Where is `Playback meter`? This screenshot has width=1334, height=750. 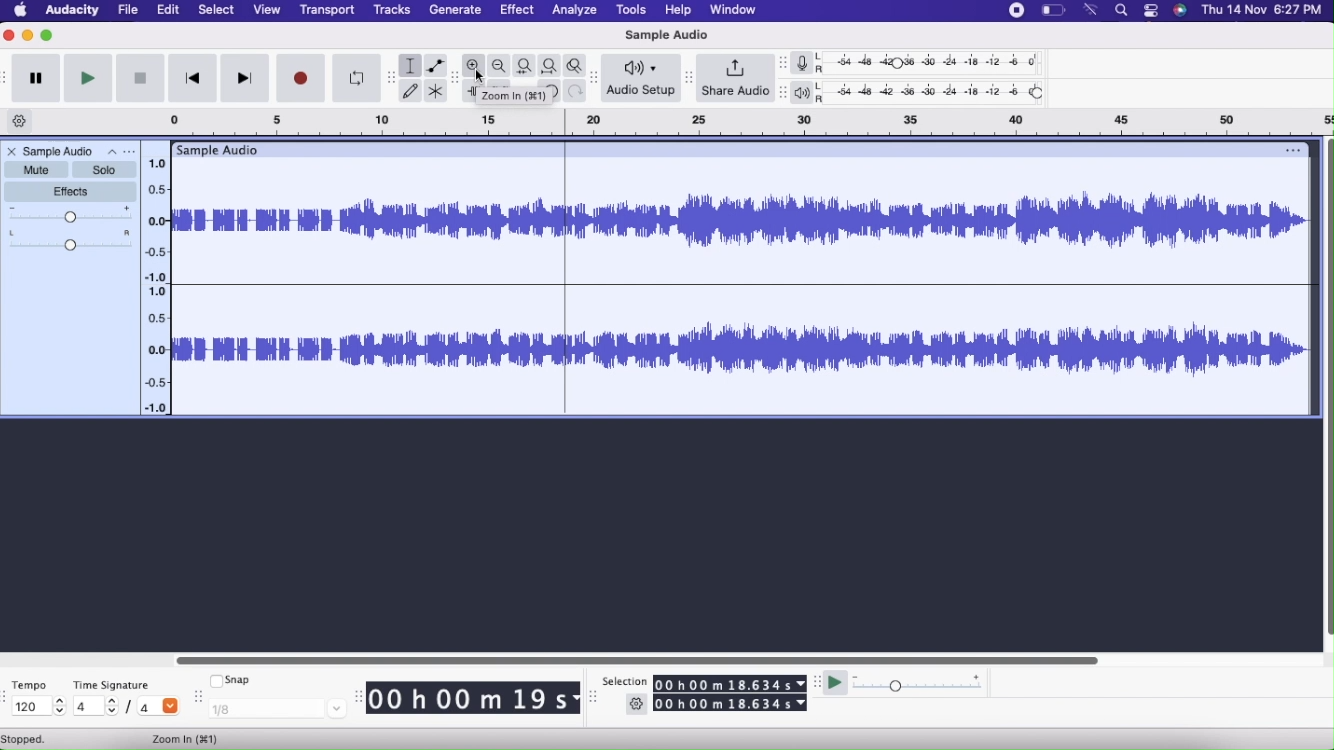
Playback meter is located at coordinates (807, 92).